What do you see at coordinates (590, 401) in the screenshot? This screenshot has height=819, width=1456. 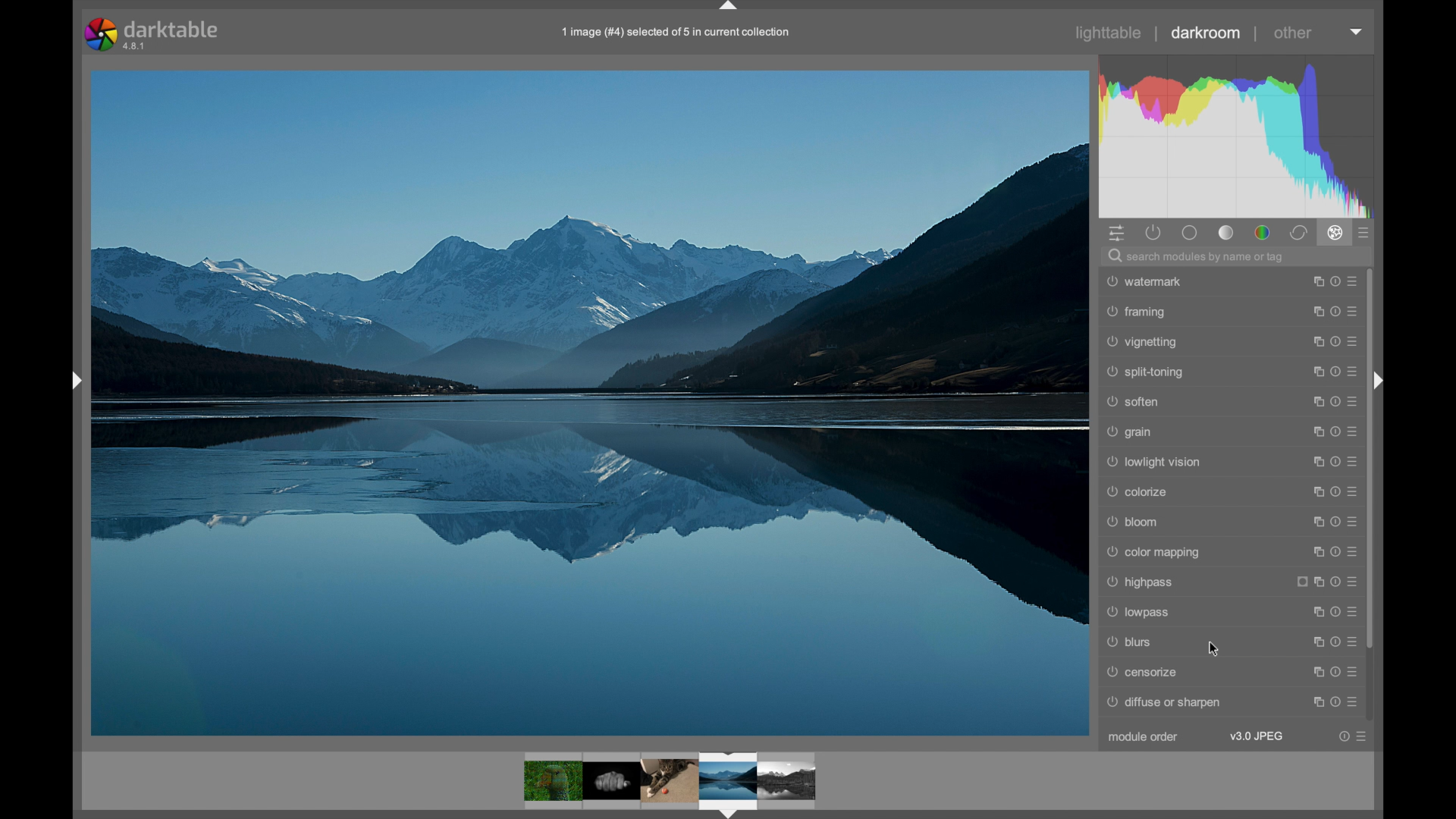 I see `photo ` at bounding box center [590, 401].